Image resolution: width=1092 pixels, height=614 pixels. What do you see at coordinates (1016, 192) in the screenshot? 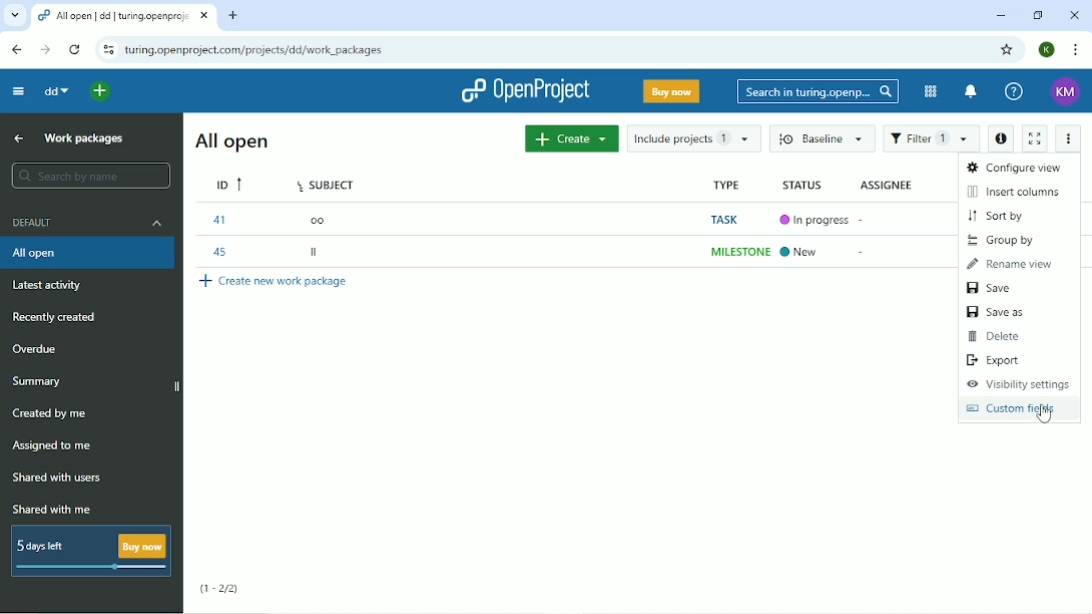
I see `Insert columns` at bounding box center [1016, 192].